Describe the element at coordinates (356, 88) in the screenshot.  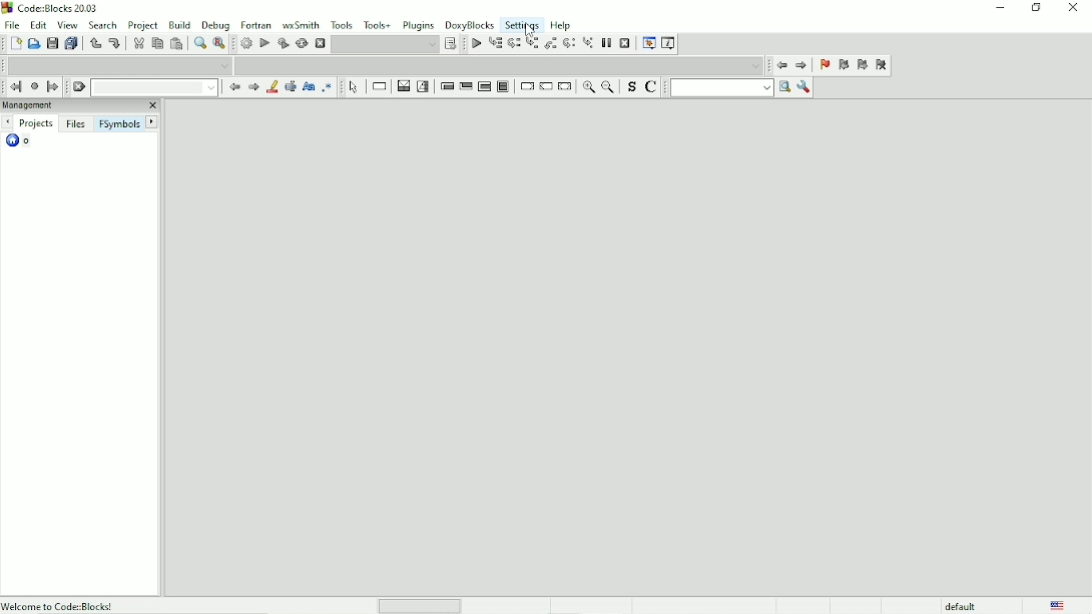
I see `Select` at that location.